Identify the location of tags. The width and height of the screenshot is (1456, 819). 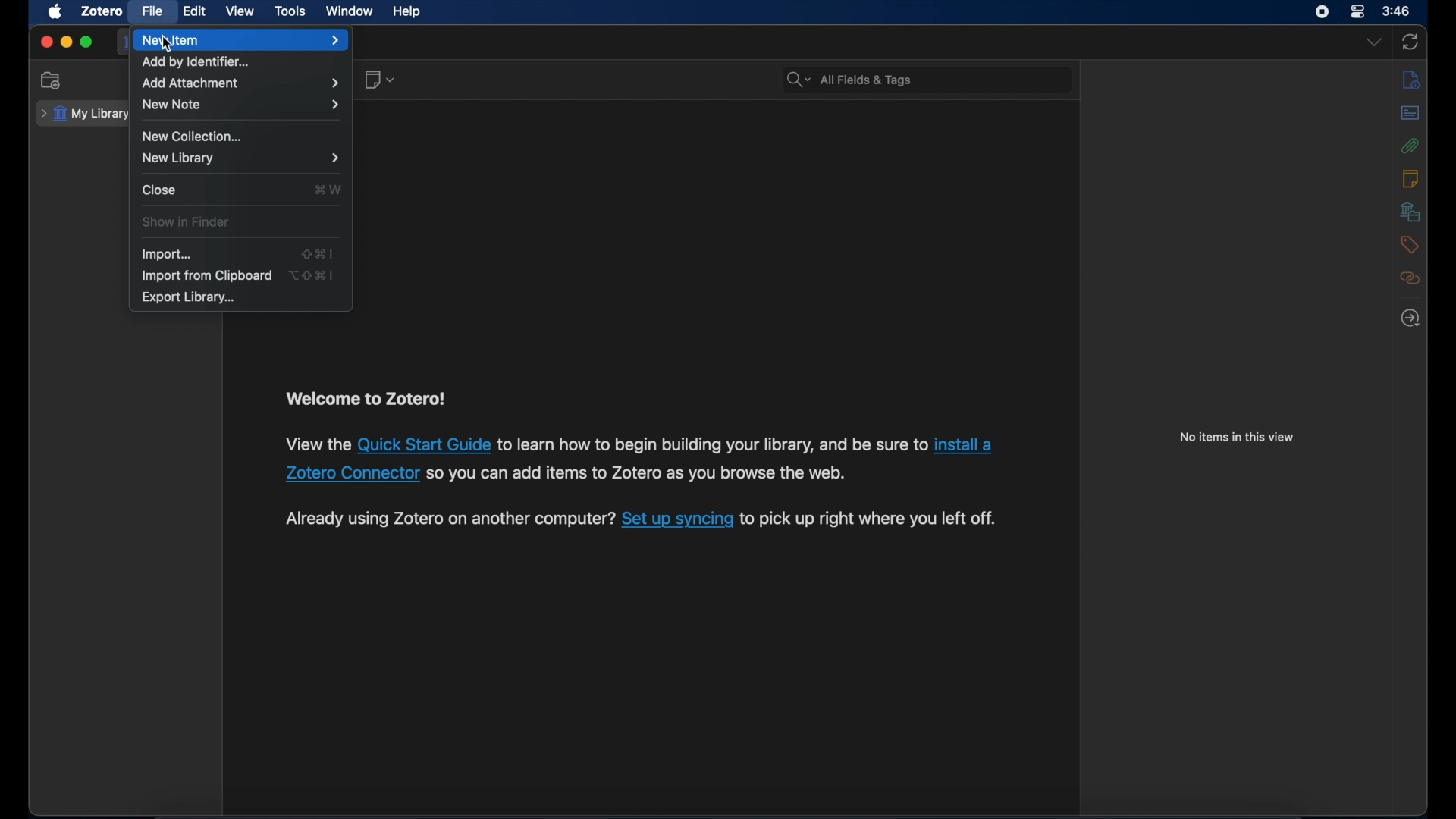
(1410, 245).